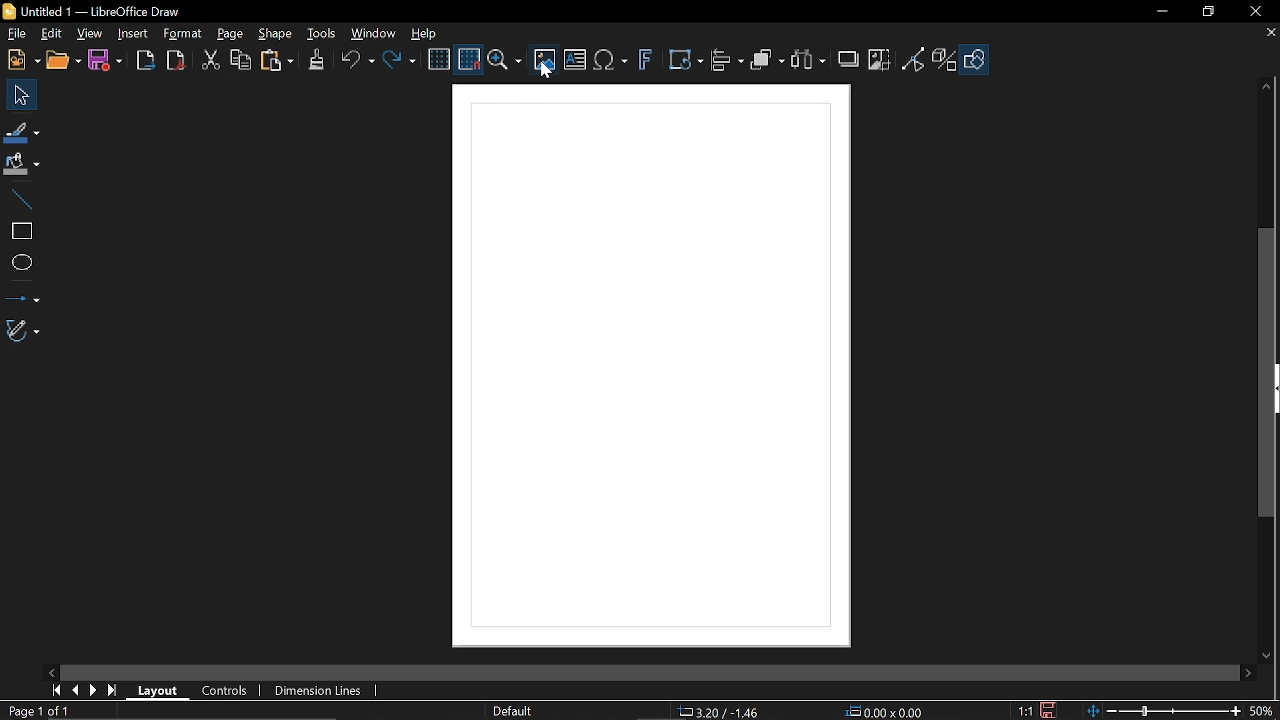 The height and width of the screenshot is (720, 1280). I want to click on Close, so click(1253, 13).